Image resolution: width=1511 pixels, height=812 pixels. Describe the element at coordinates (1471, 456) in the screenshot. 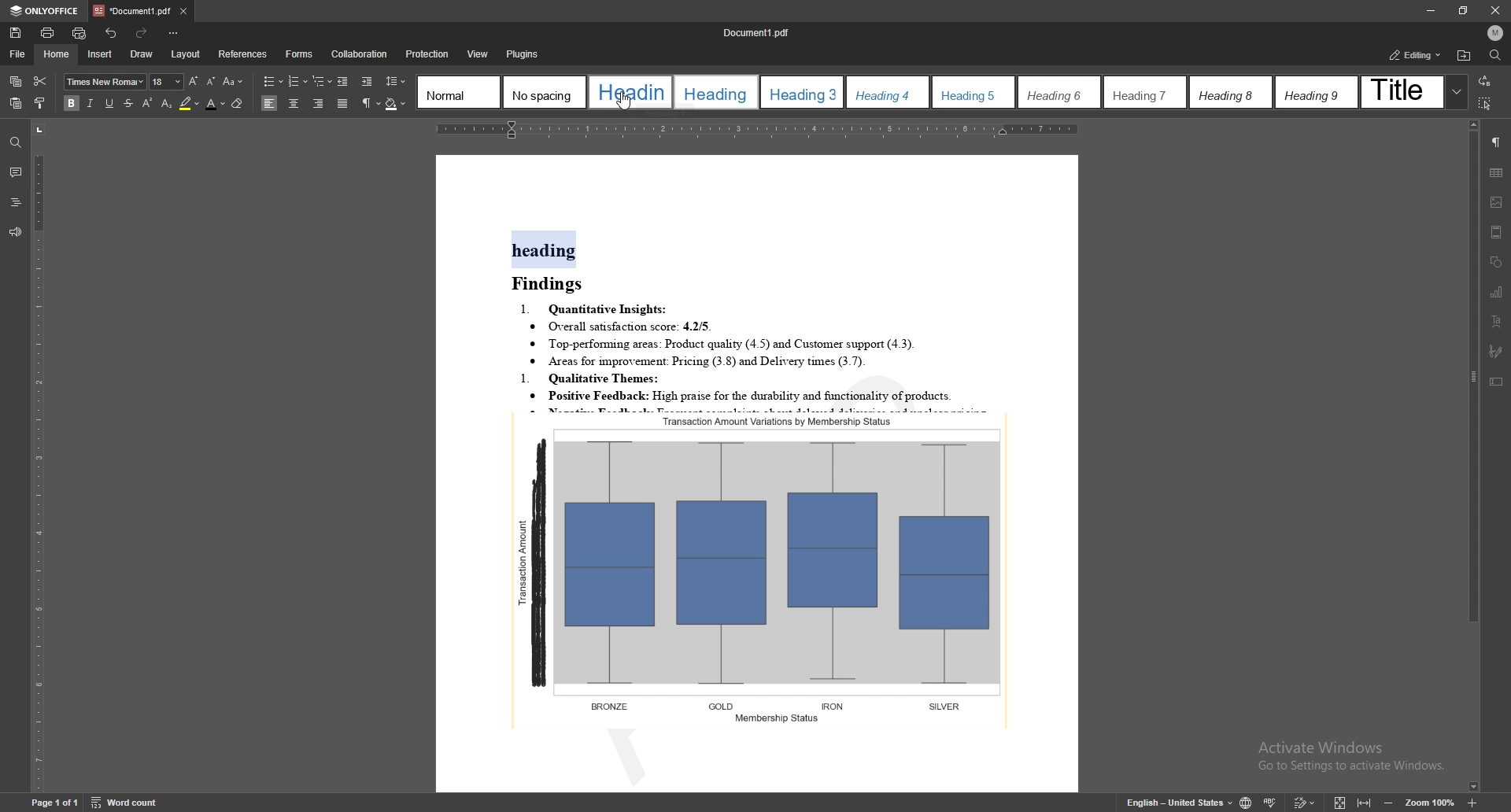

I see `scroll bar` at that location.